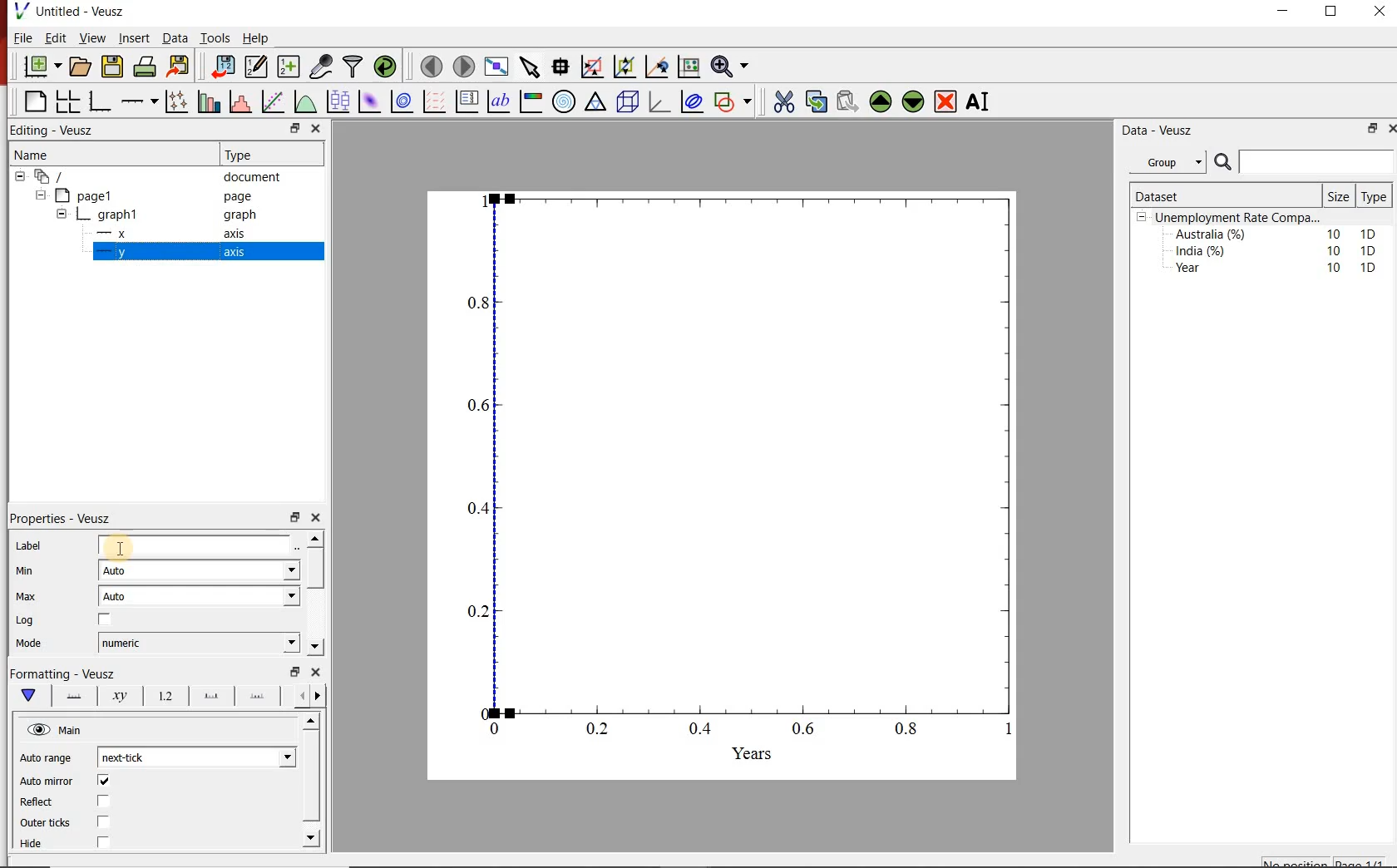 The height and width of the screenshot is (868, 1397). Describe the element at coordinates (432, 65) in the screenshot. I see `move to previous page` at that location.